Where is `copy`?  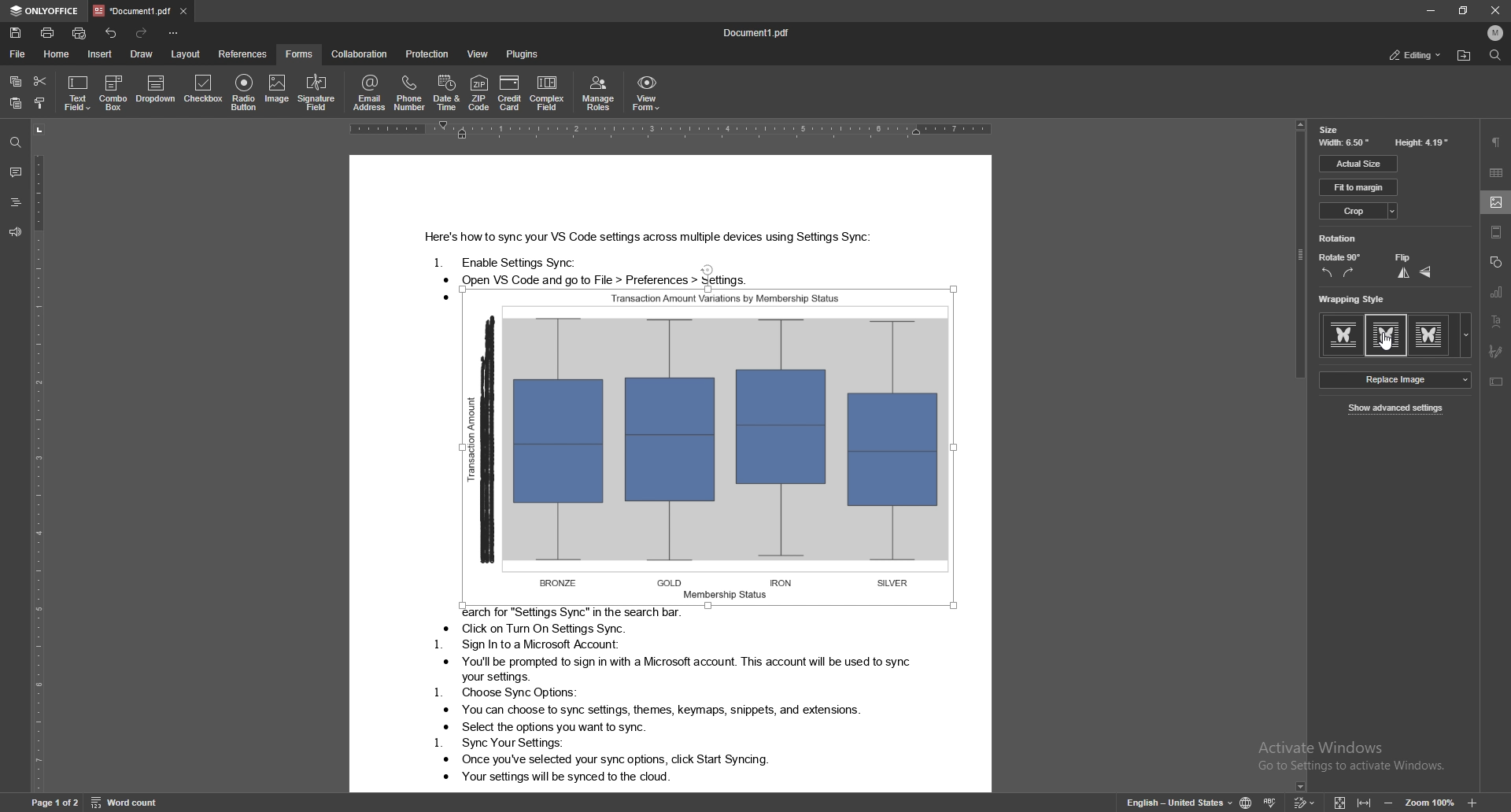 copy is located at coordinates (17, 81).